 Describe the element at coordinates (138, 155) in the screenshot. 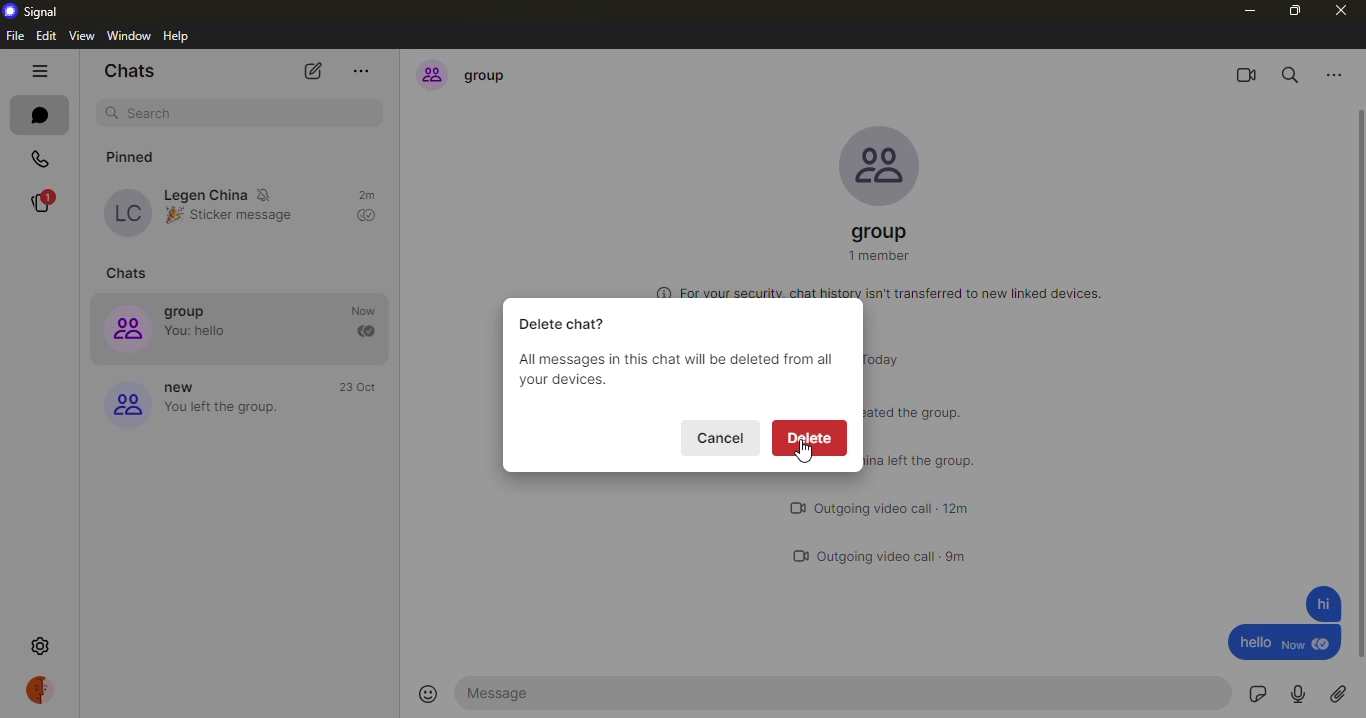

I see `pinned` at that location.